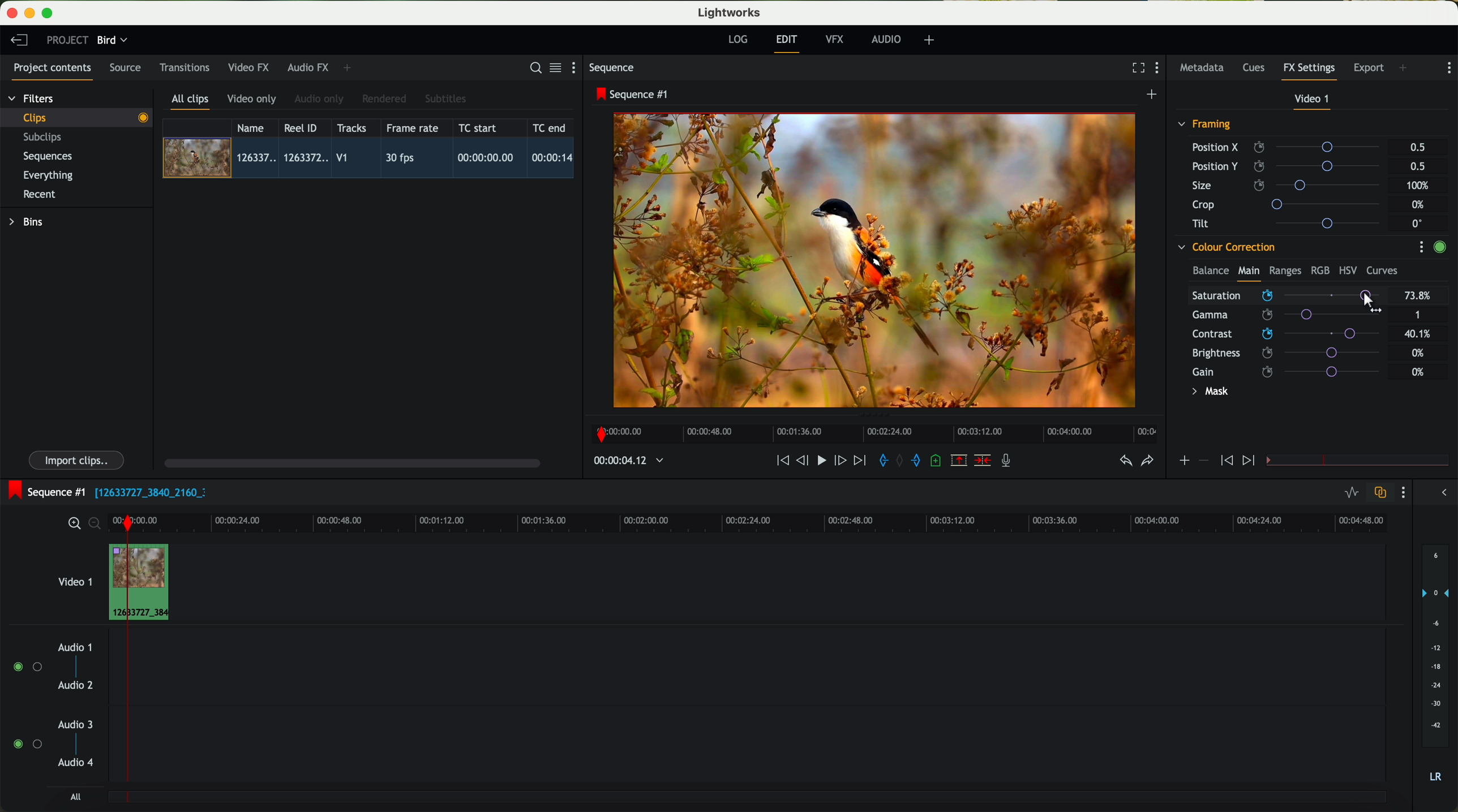  What do you see at coordinates (320, 99) in the screenshot?
I see `audio only` at bounding box center [320, 99].